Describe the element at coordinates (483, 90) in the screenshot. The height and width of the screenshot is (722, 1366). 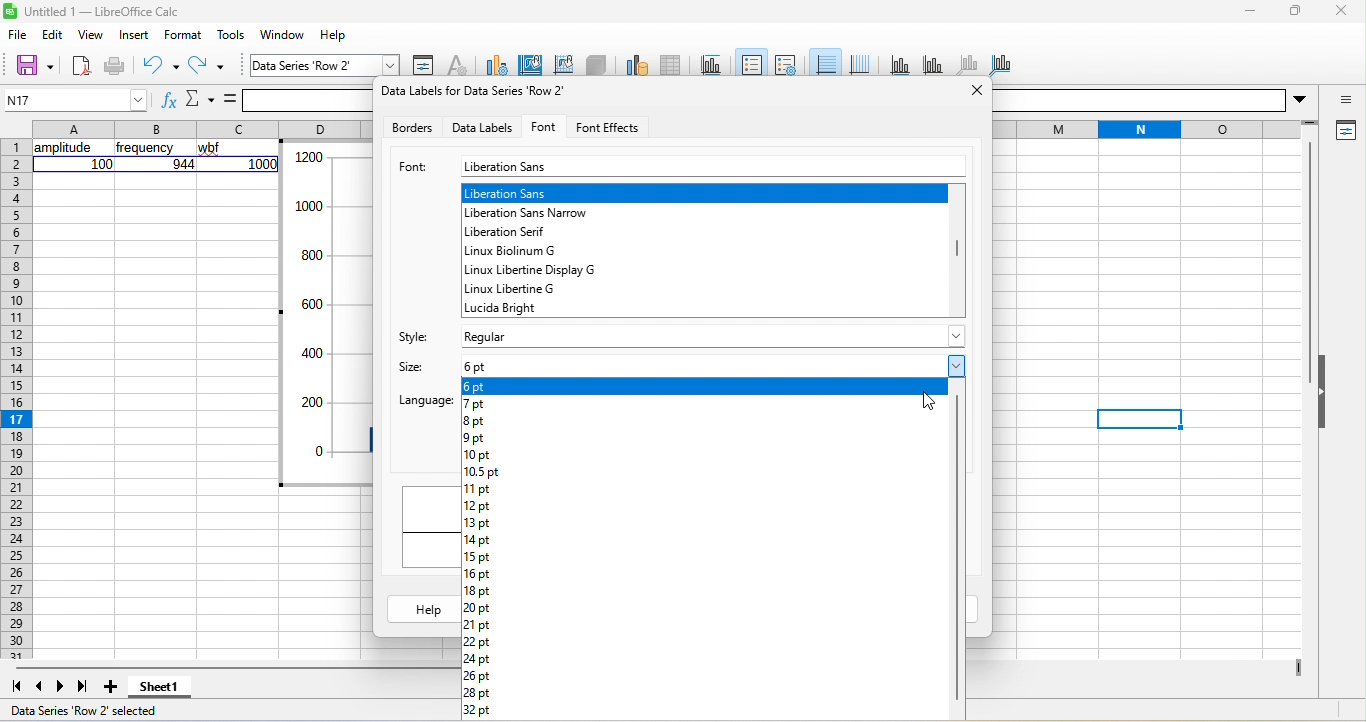
I see `Data labels for data series row 2` at that location.